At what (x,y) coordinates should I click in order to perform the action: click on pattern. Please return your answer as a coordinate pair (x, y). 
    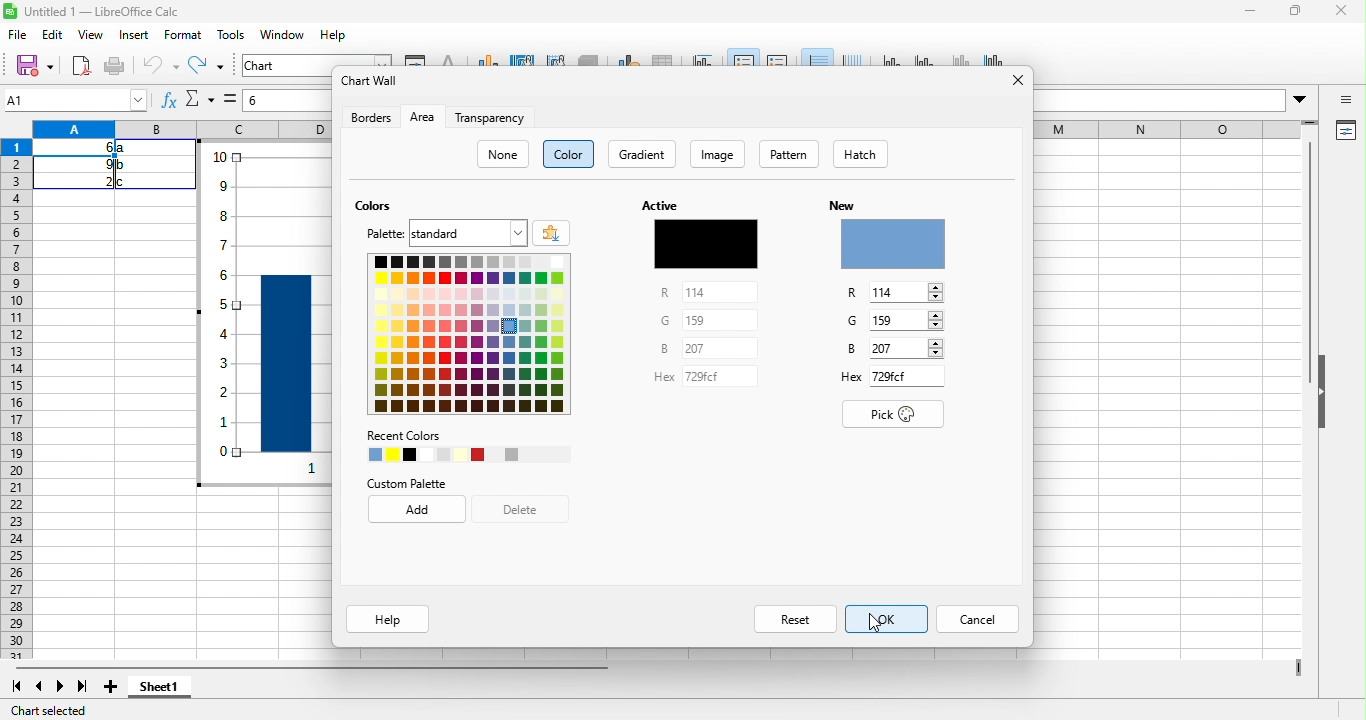
    Looking at the image, I should click on (791, 154).